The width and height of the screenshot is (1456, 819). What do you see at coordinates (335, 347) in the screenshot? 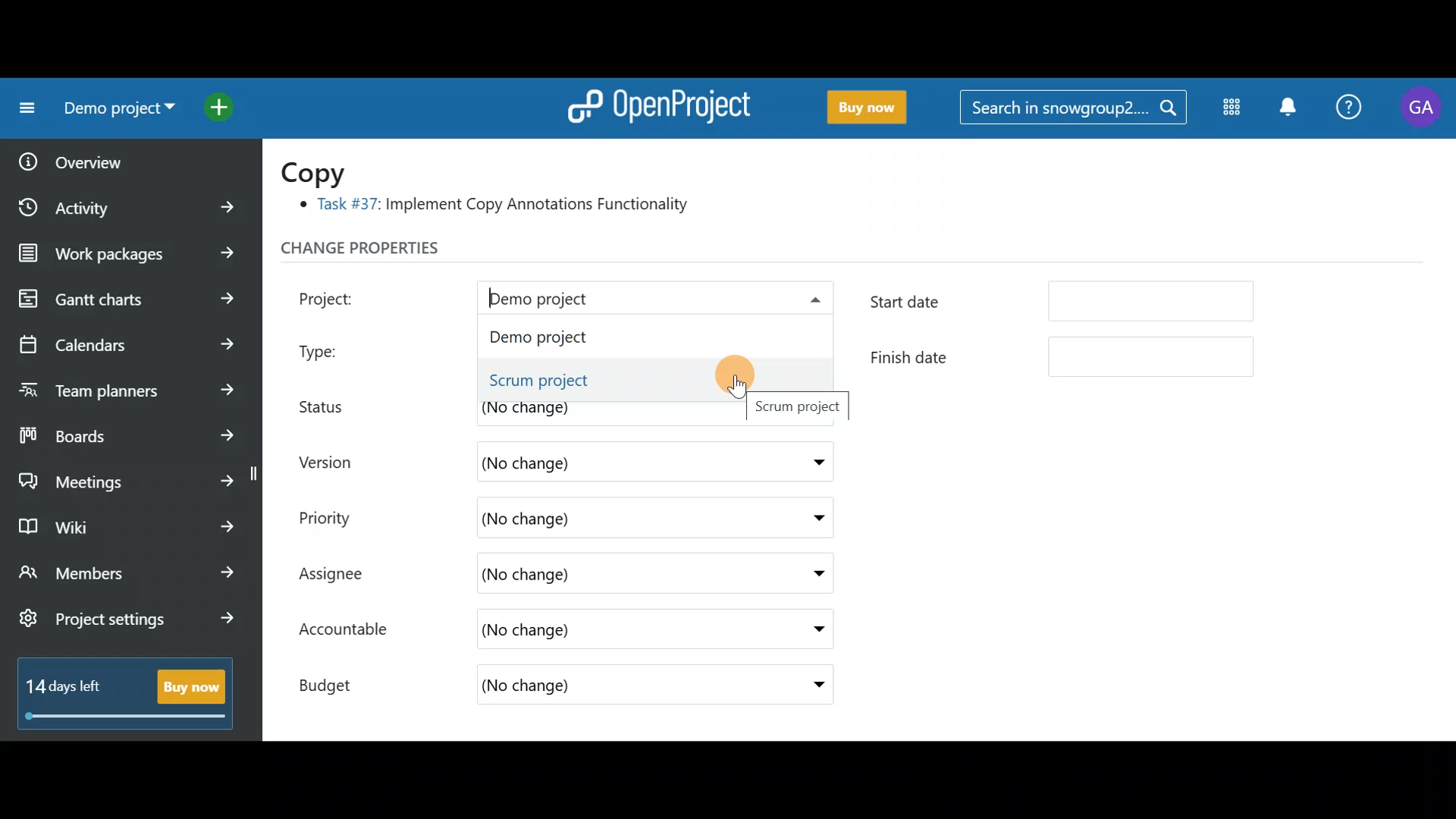
I see `Type` at bounding box center [335, 347].